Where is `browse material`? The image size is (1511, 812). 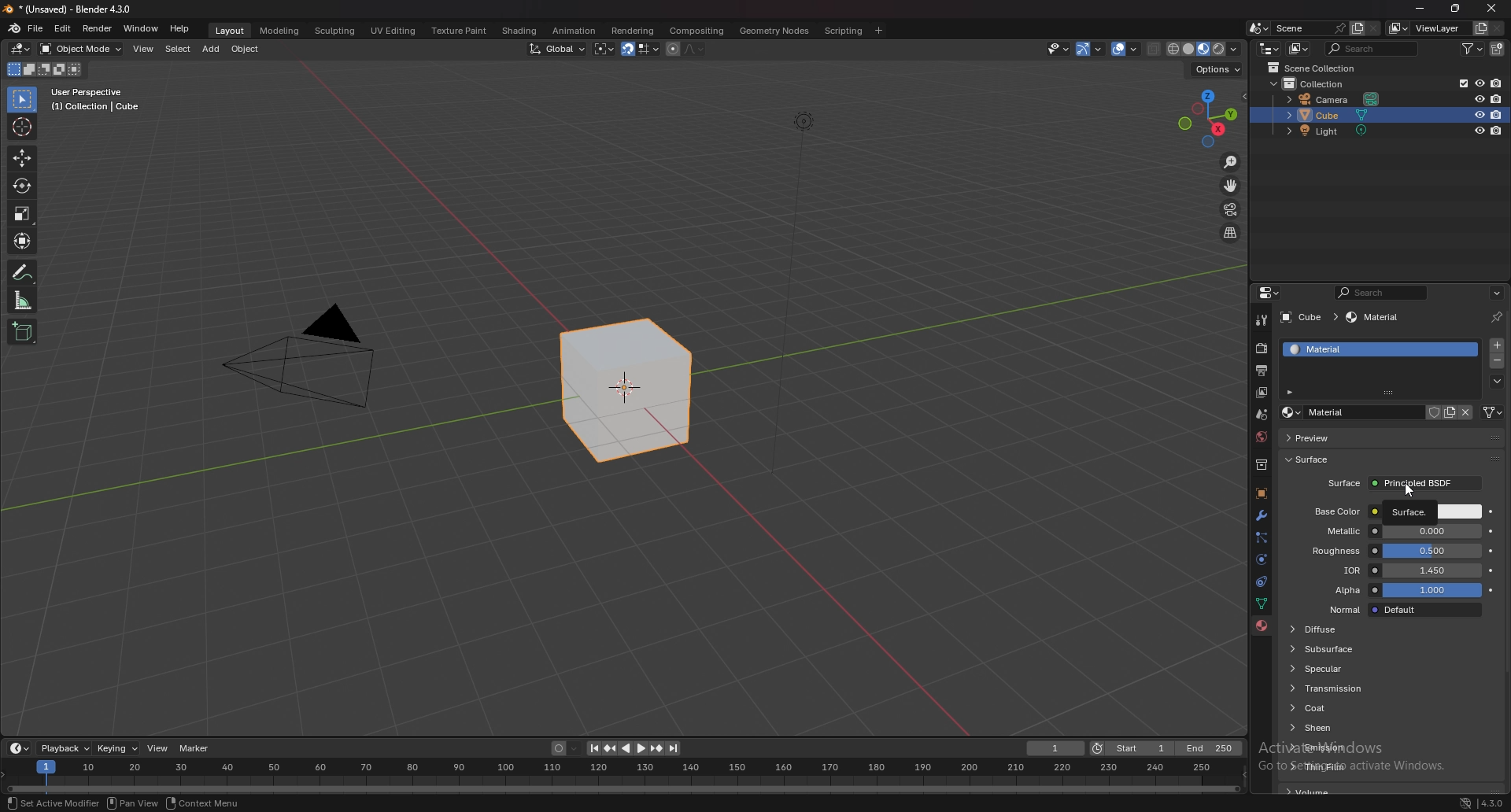 browse material is located at coordinates (1291, 412).